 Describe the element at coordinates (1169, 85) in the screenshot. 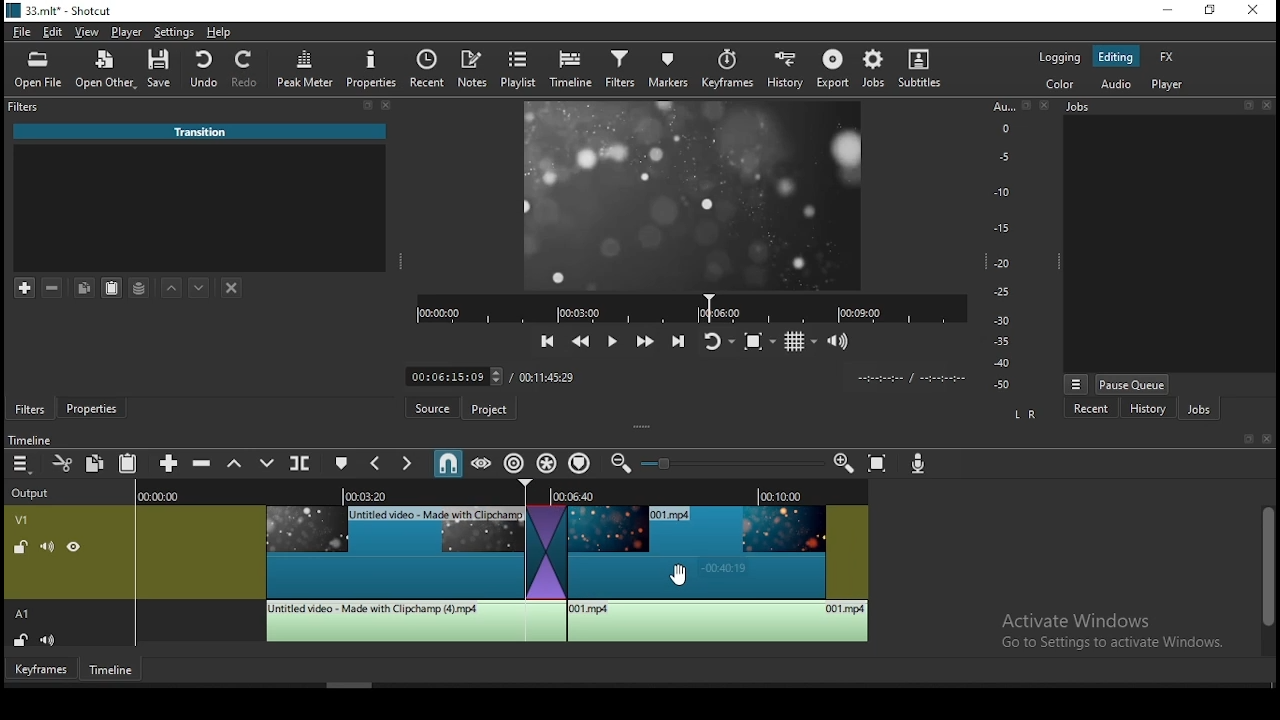

I see `player` at that location.